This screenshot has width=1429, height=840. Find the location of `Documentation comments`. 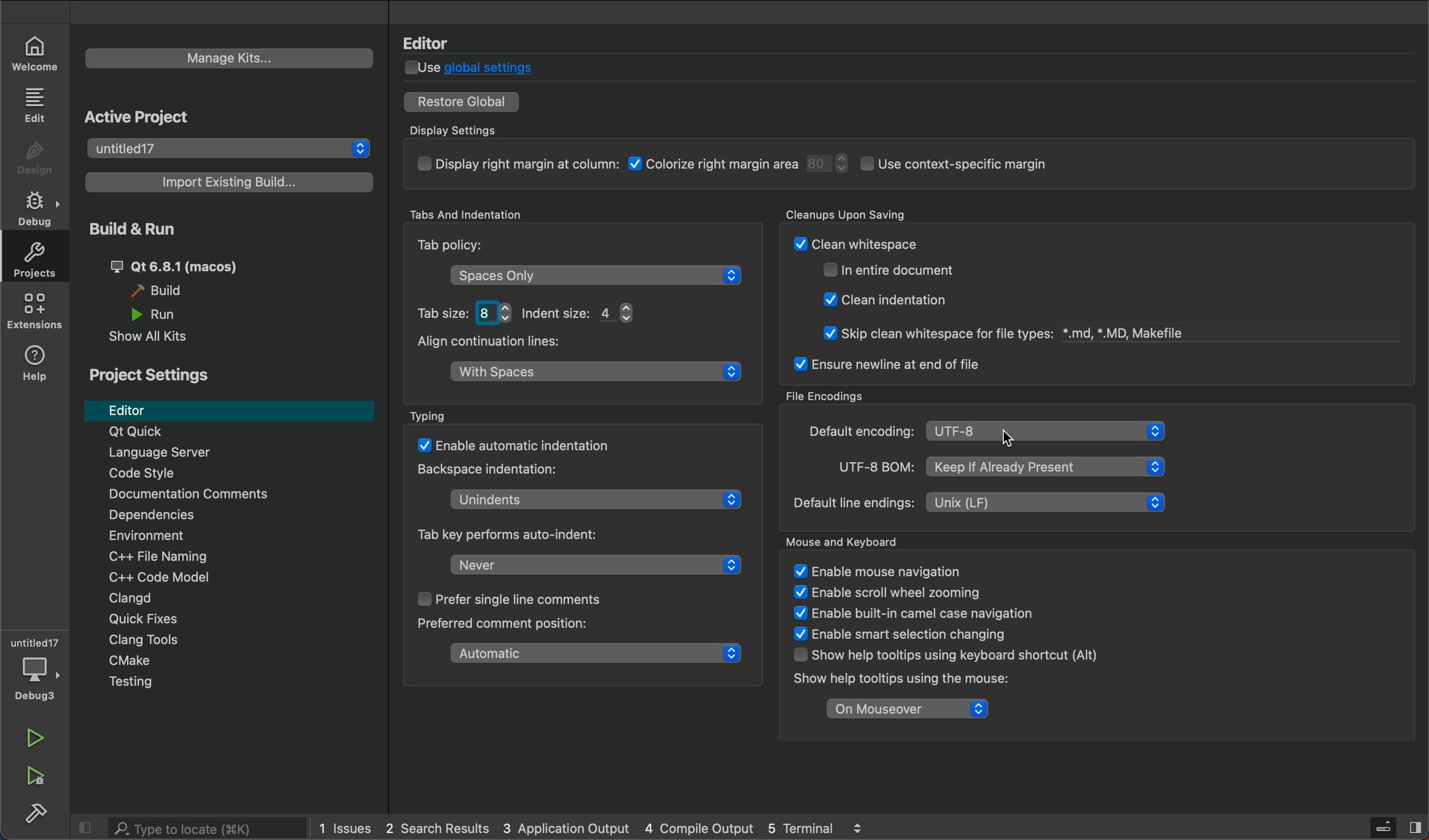

Documentation comments is located at coordinates (225, 495).